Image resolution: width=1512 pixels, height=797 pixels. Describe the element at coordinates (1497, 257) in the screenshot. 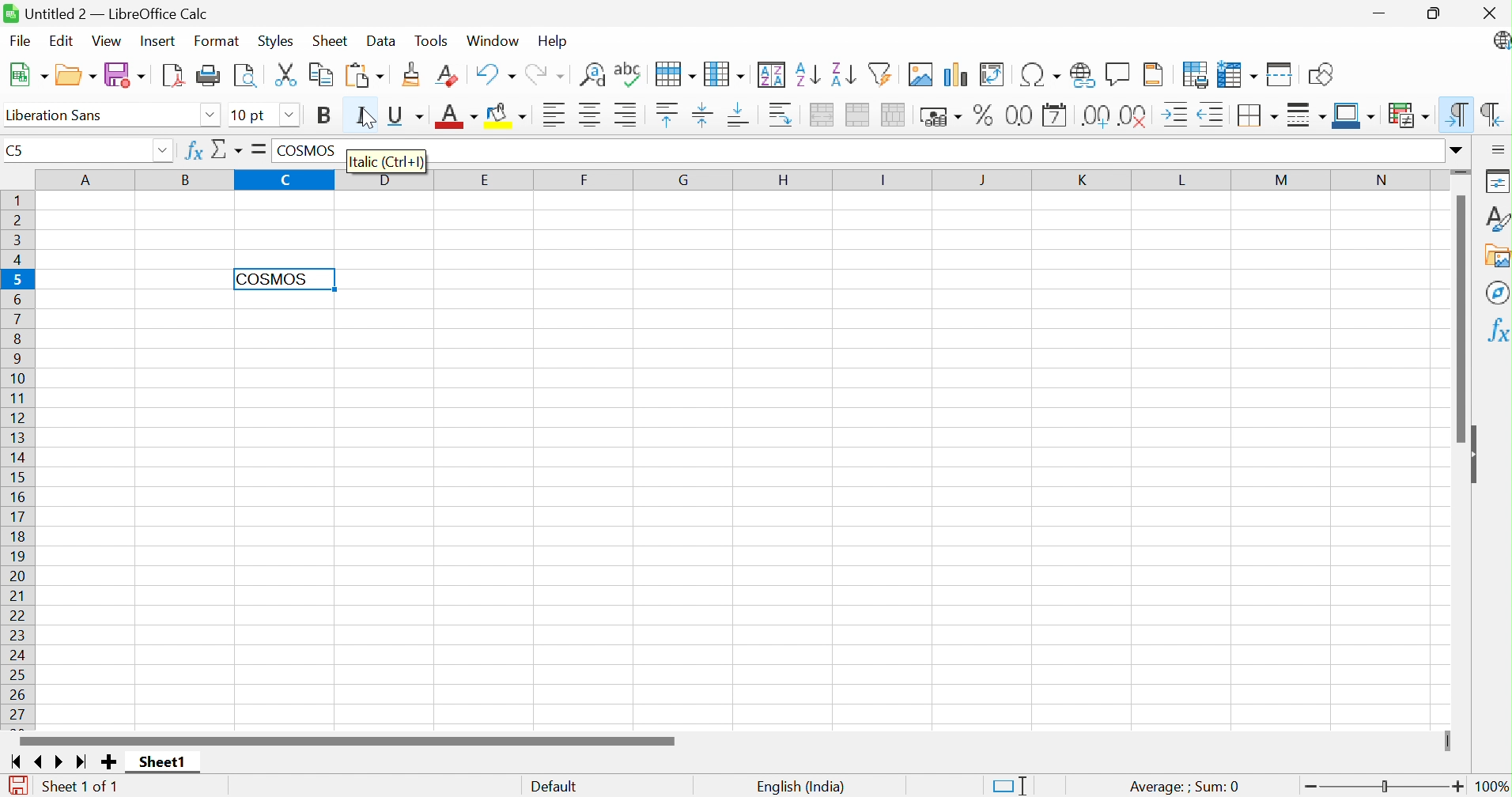

I see `Gallery` at that location.